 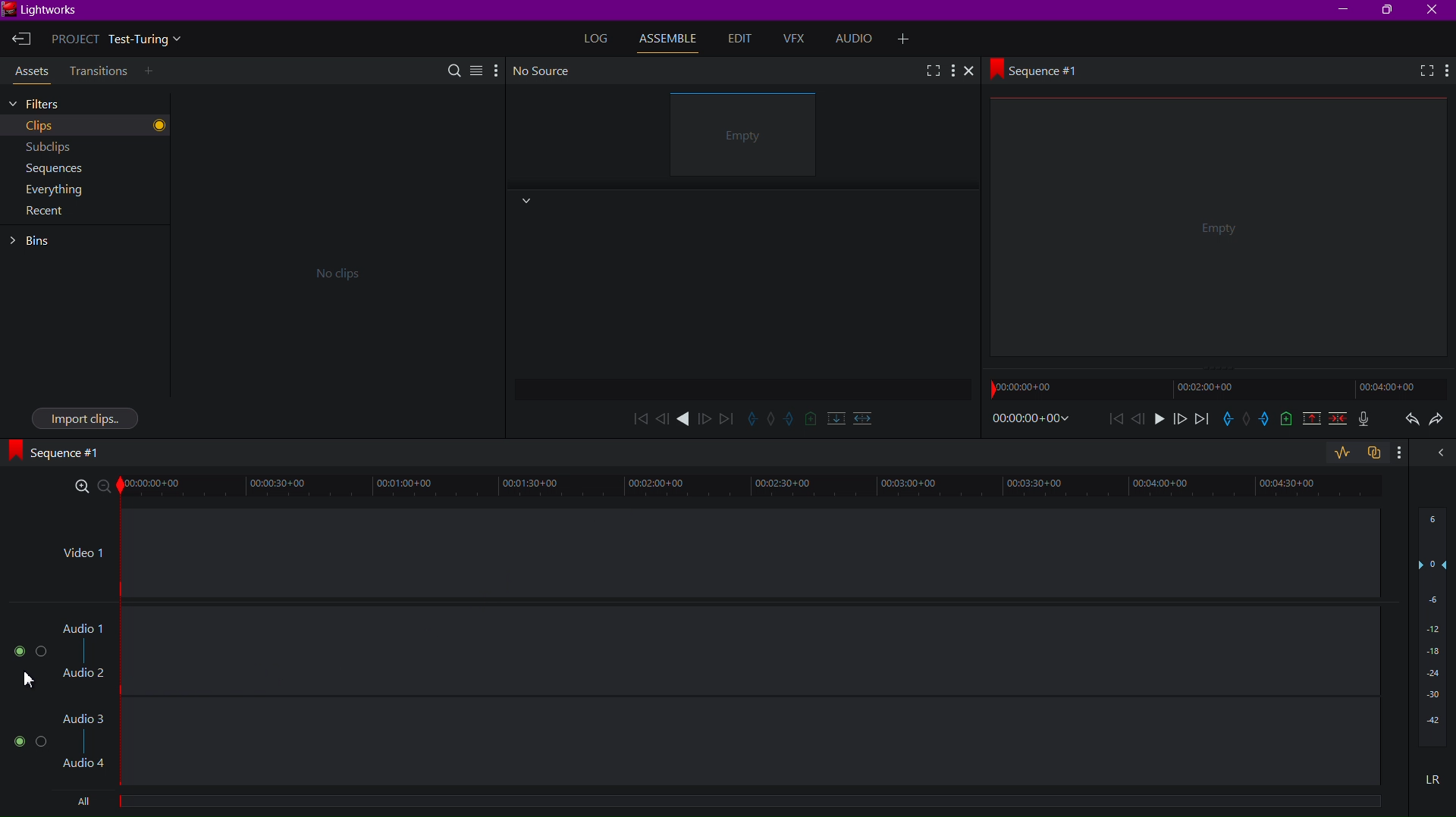 What do you see at coordinates (706, 418) in the screenshot?
I see `forward` at bounding box center [706, 418].